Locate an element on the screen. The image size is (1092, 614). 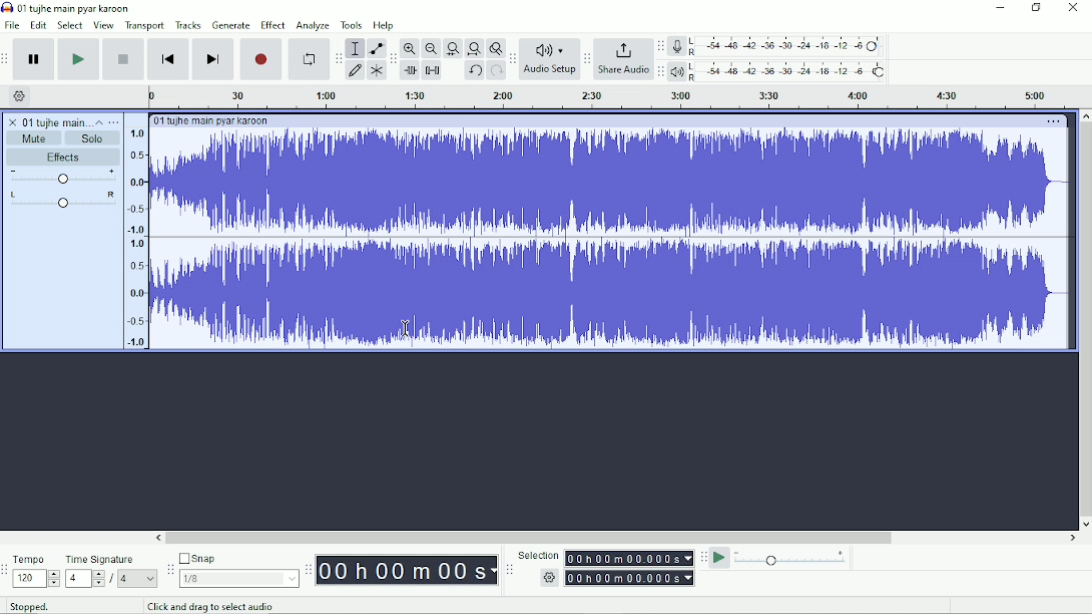
Cursor is located at coordinates (406, 329).